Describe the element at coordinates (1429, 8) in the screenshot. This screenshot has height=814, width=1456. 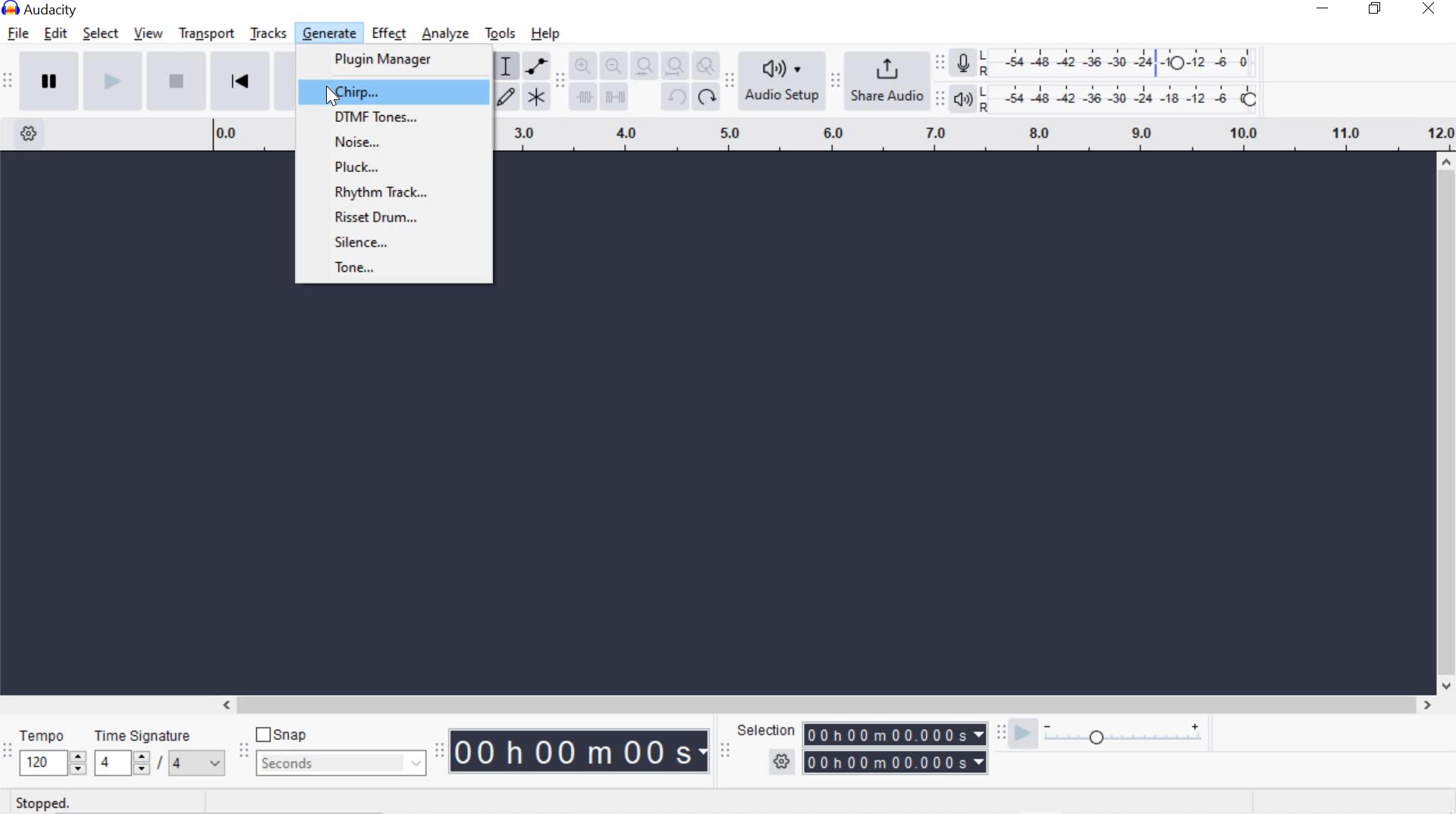
I see `close` at that location.